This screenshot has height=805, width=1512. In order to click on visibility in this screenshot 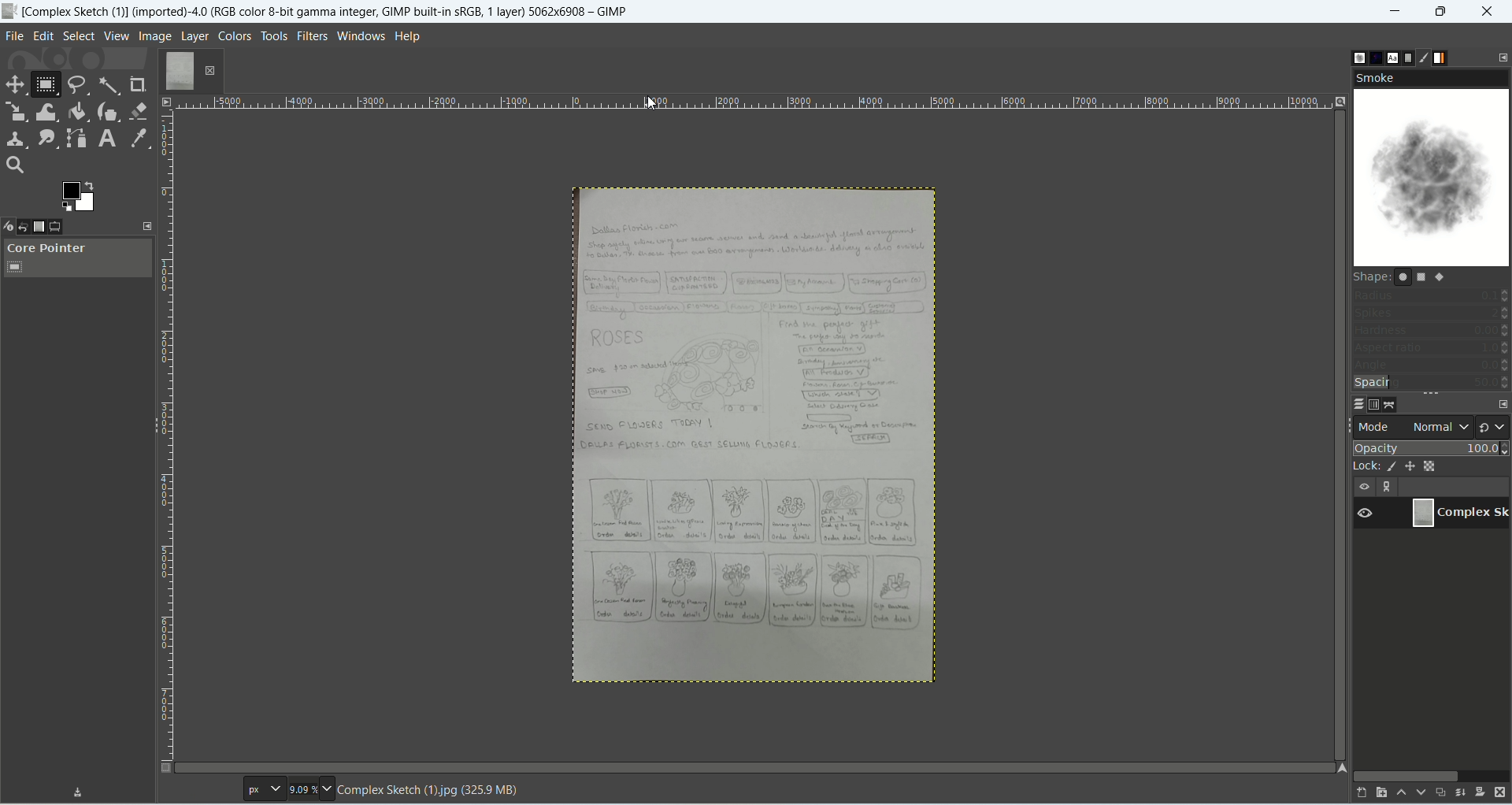, I will do `click(1361, 486)`.